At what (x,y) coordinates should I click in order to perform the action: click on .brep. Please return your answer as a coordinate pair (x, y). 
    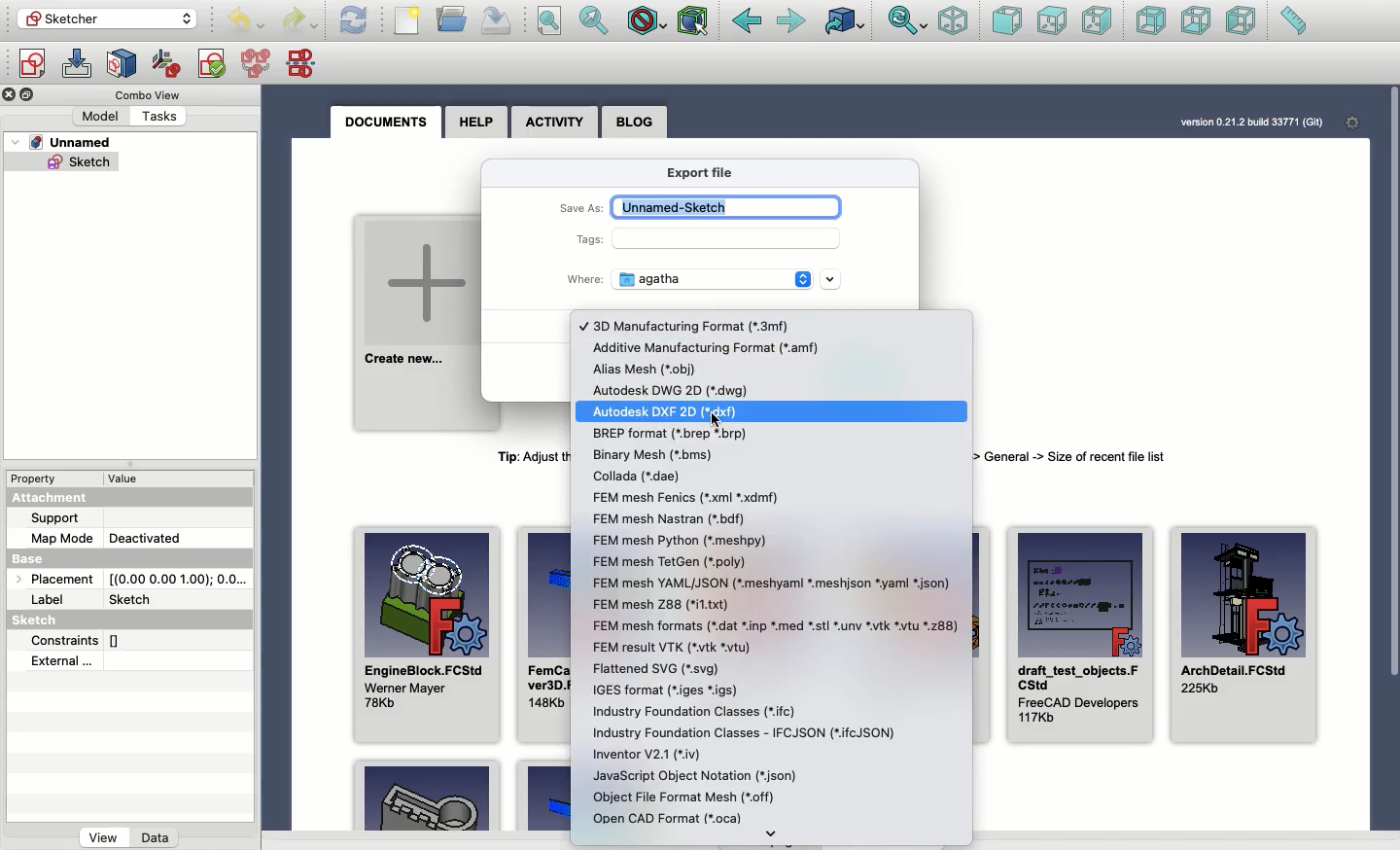
    Looking at the image, I should click on (669, 435).